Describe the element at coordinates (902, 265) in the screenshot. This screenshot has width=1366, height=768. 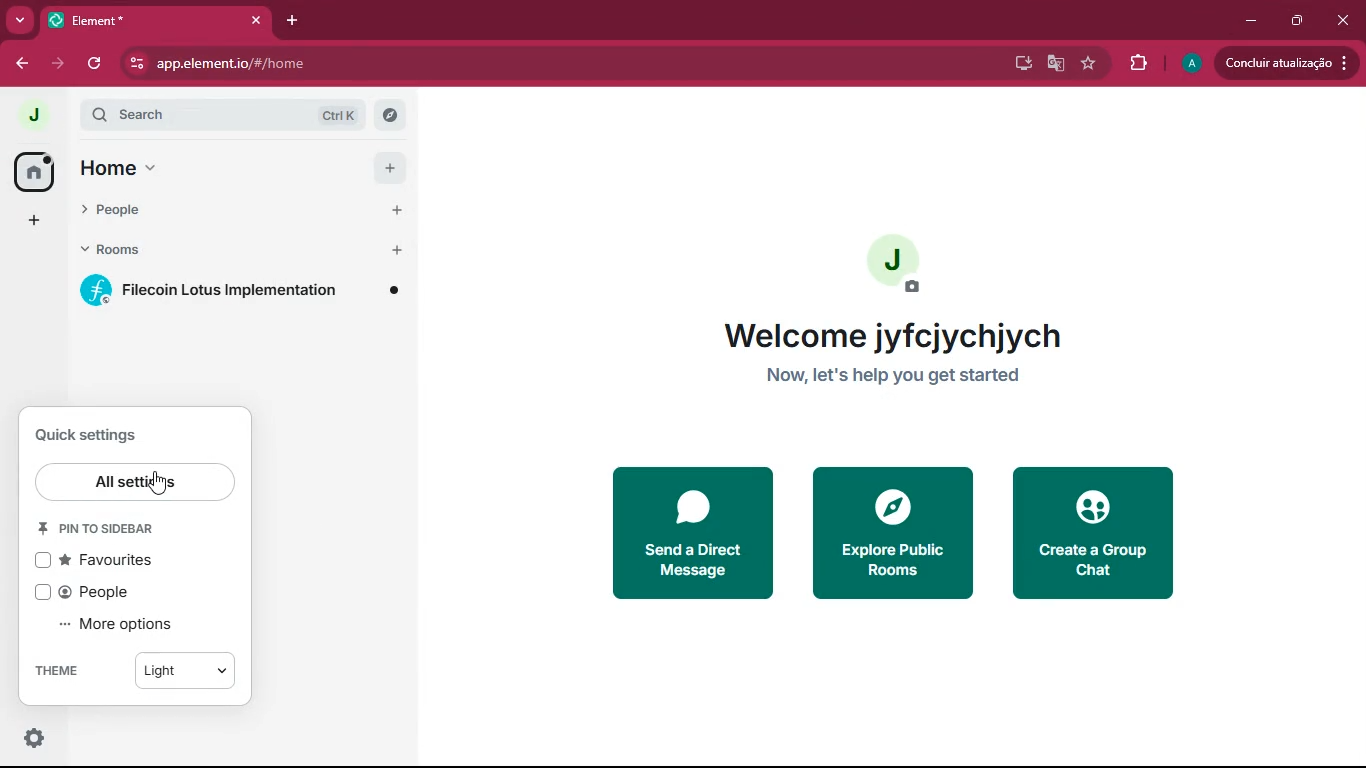
I see `profile picture` at that location.